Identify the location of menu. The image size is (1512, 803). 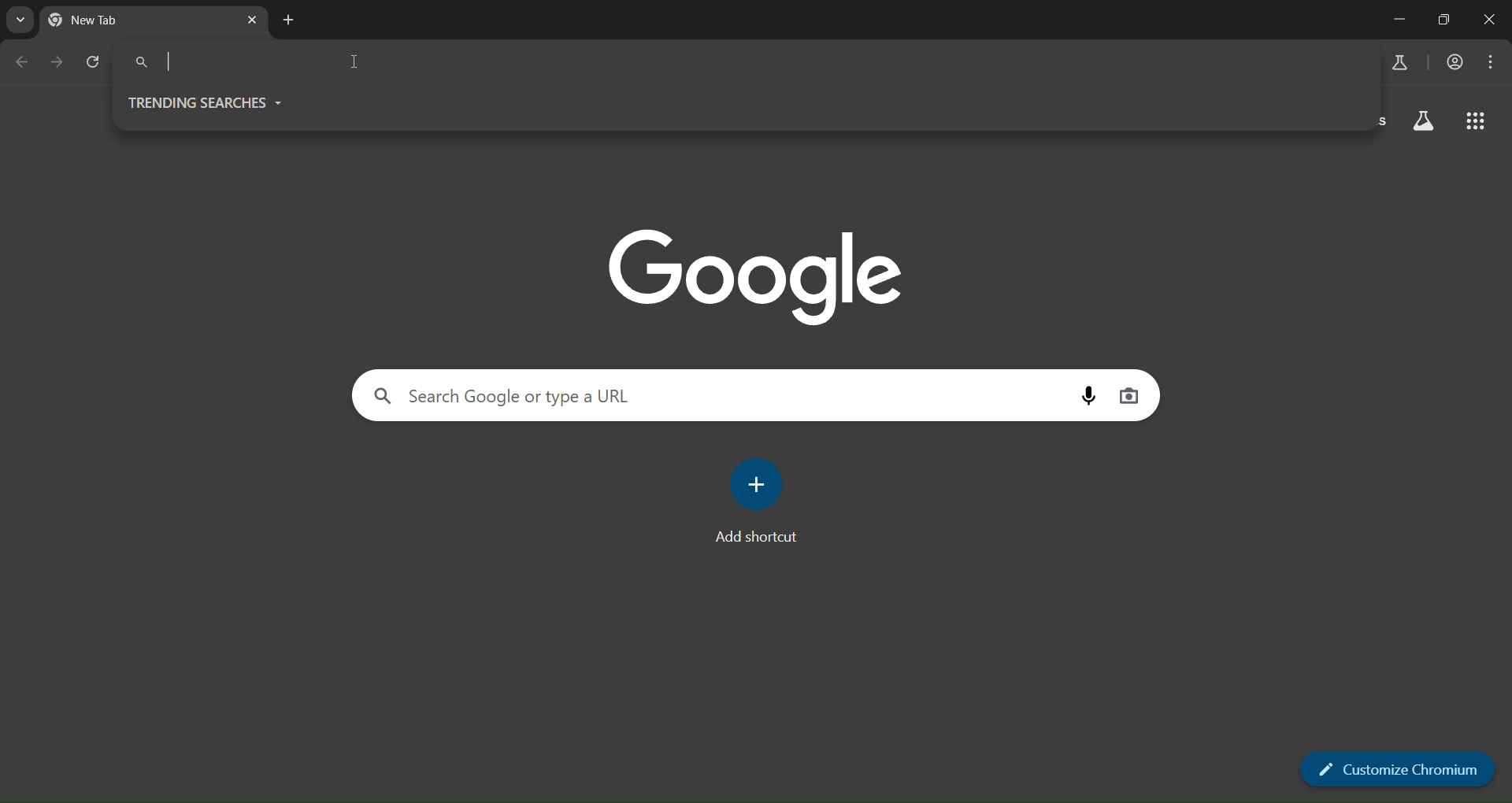
(1493, 62).